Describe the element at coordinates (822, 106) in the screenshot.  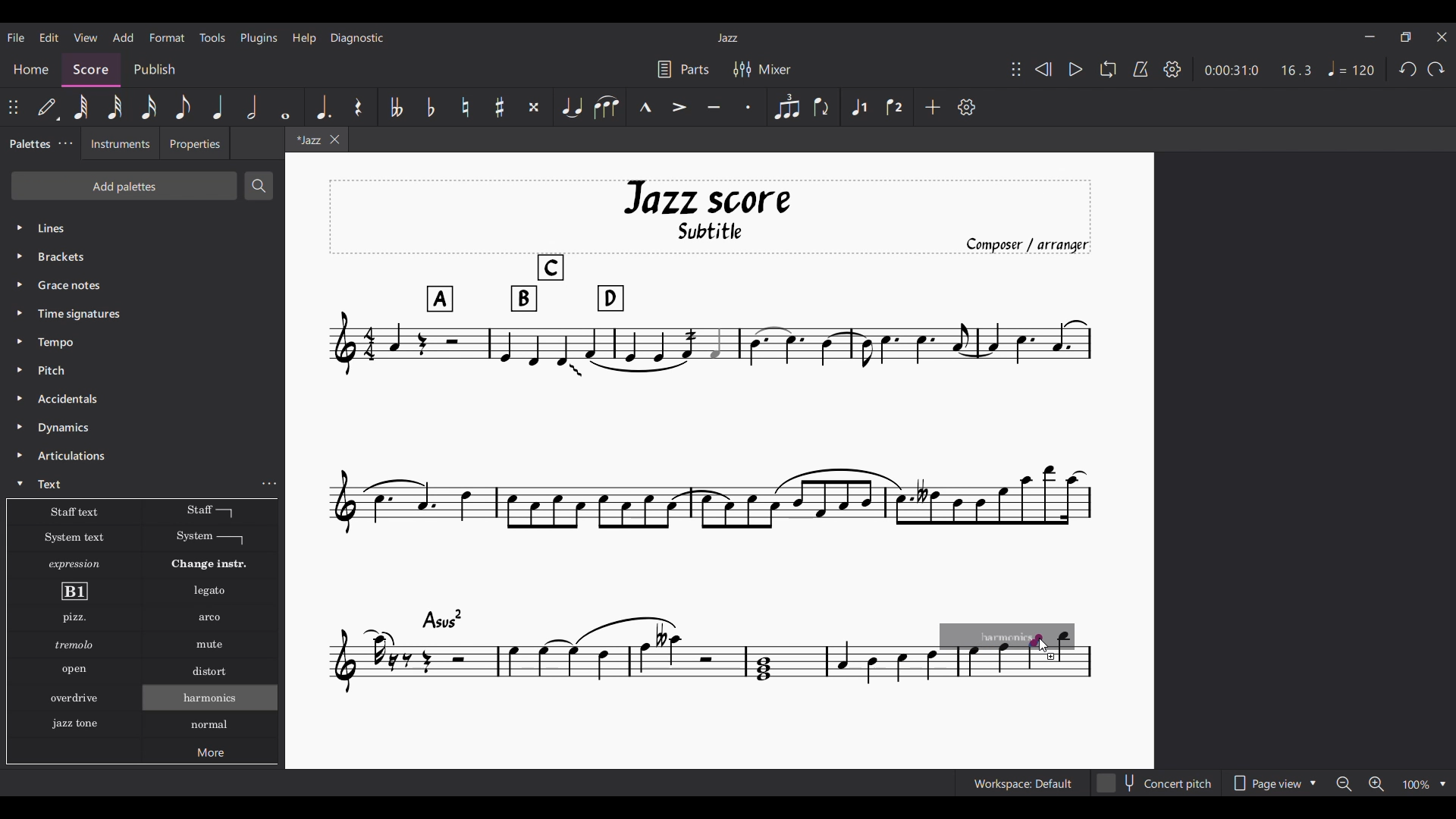
I see `Flip direction` at that location.